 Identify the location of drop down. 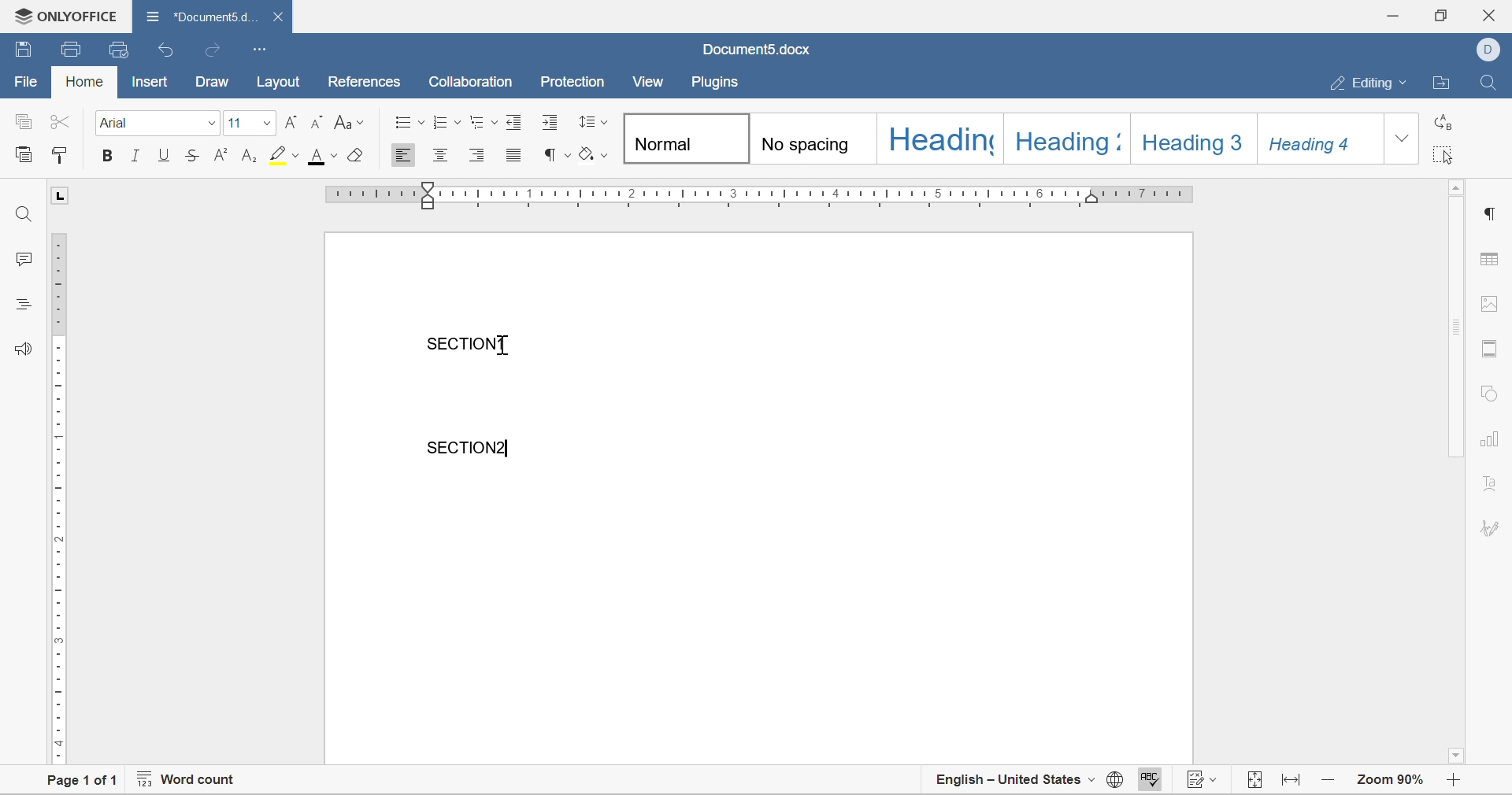
(211, 124).